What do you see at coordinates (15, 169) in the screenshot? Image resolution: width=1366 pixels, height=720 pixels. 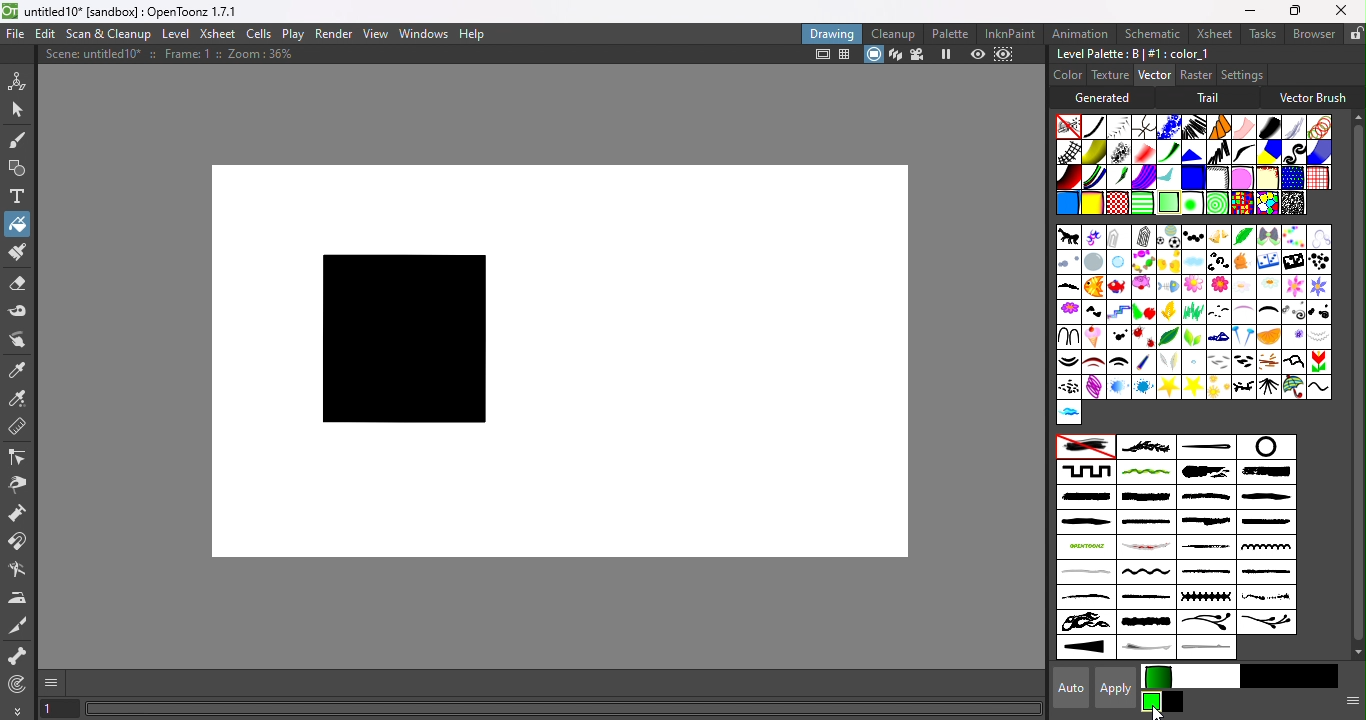 I see `Geometric tool` at bounding box center [15, 169].